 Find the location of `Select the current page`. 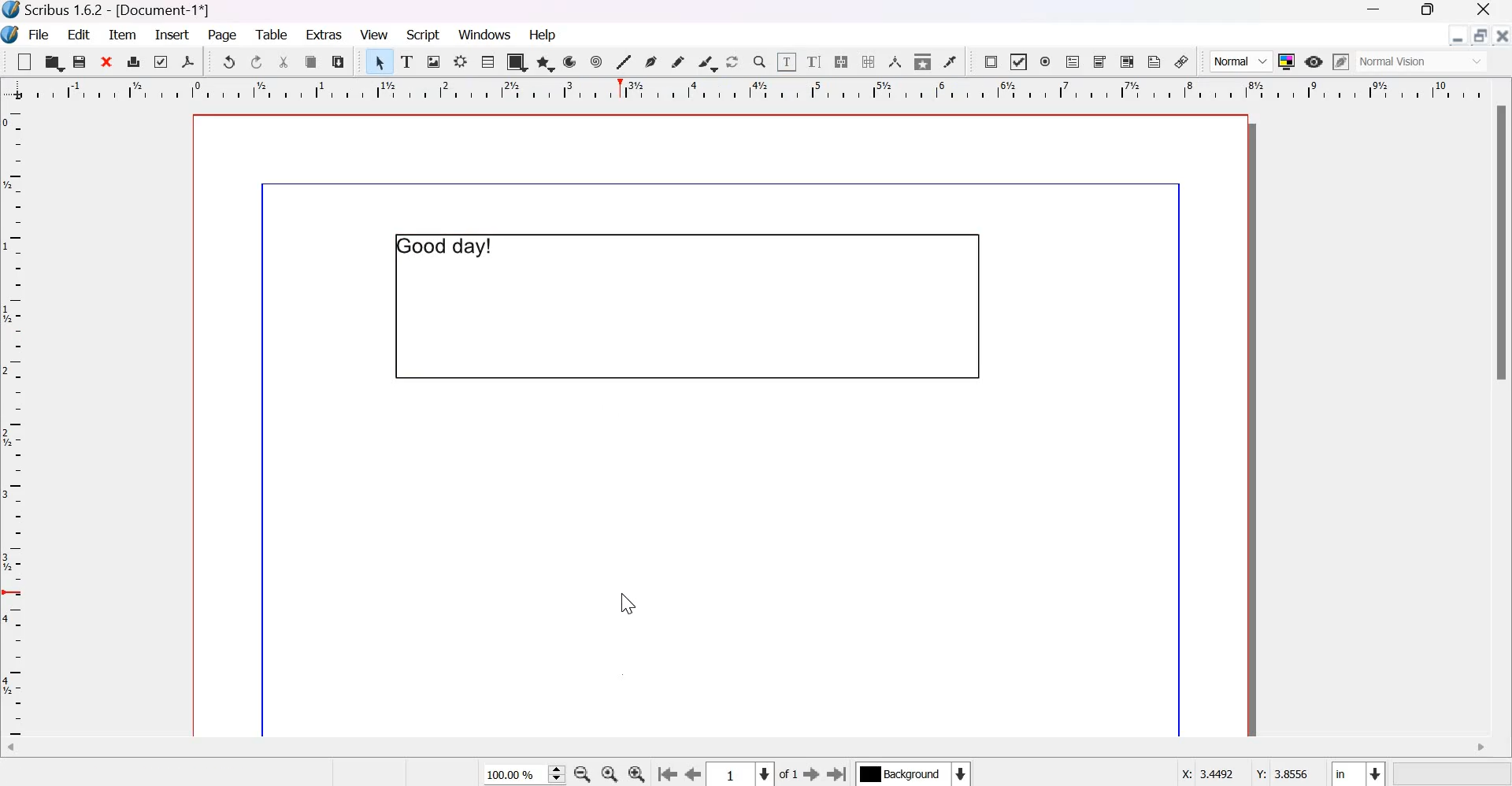

Select the current page is located at coordinates (741, 774).